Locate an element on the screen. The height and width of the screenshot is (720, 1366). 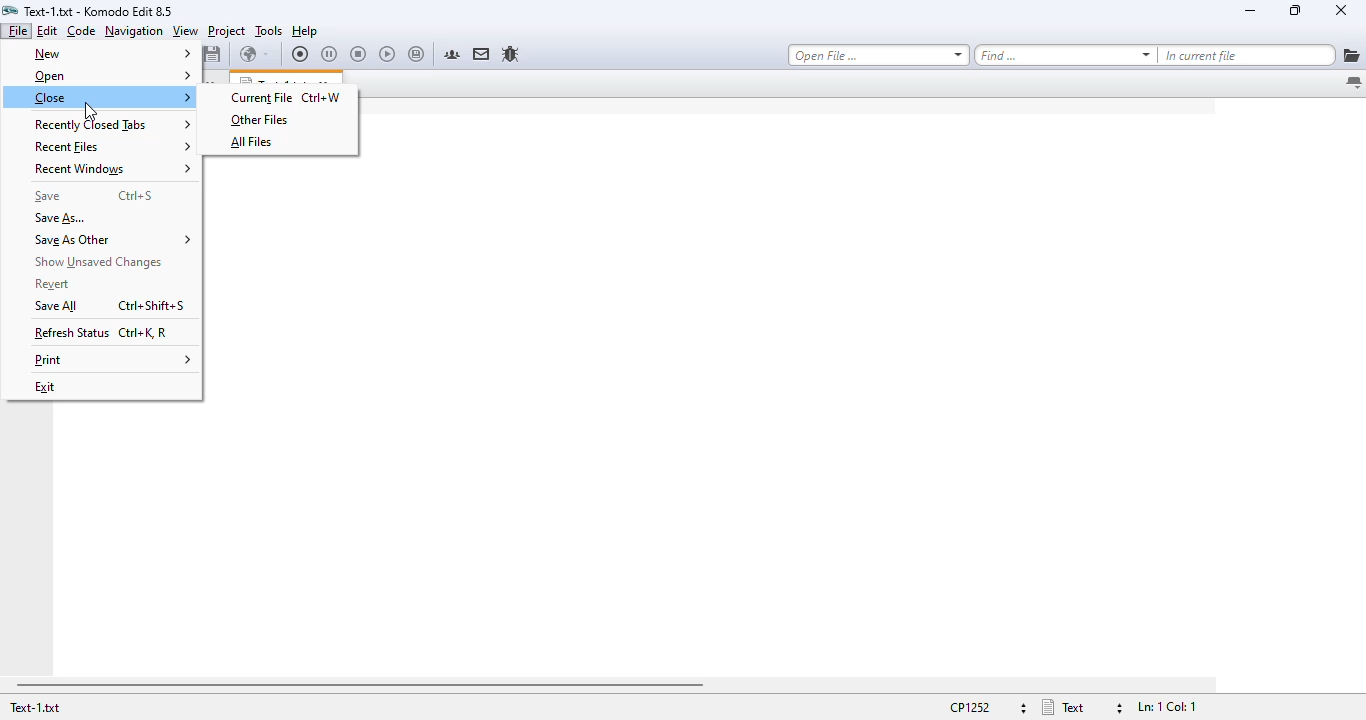
list all tabs is located at coordinates (1353, 84).